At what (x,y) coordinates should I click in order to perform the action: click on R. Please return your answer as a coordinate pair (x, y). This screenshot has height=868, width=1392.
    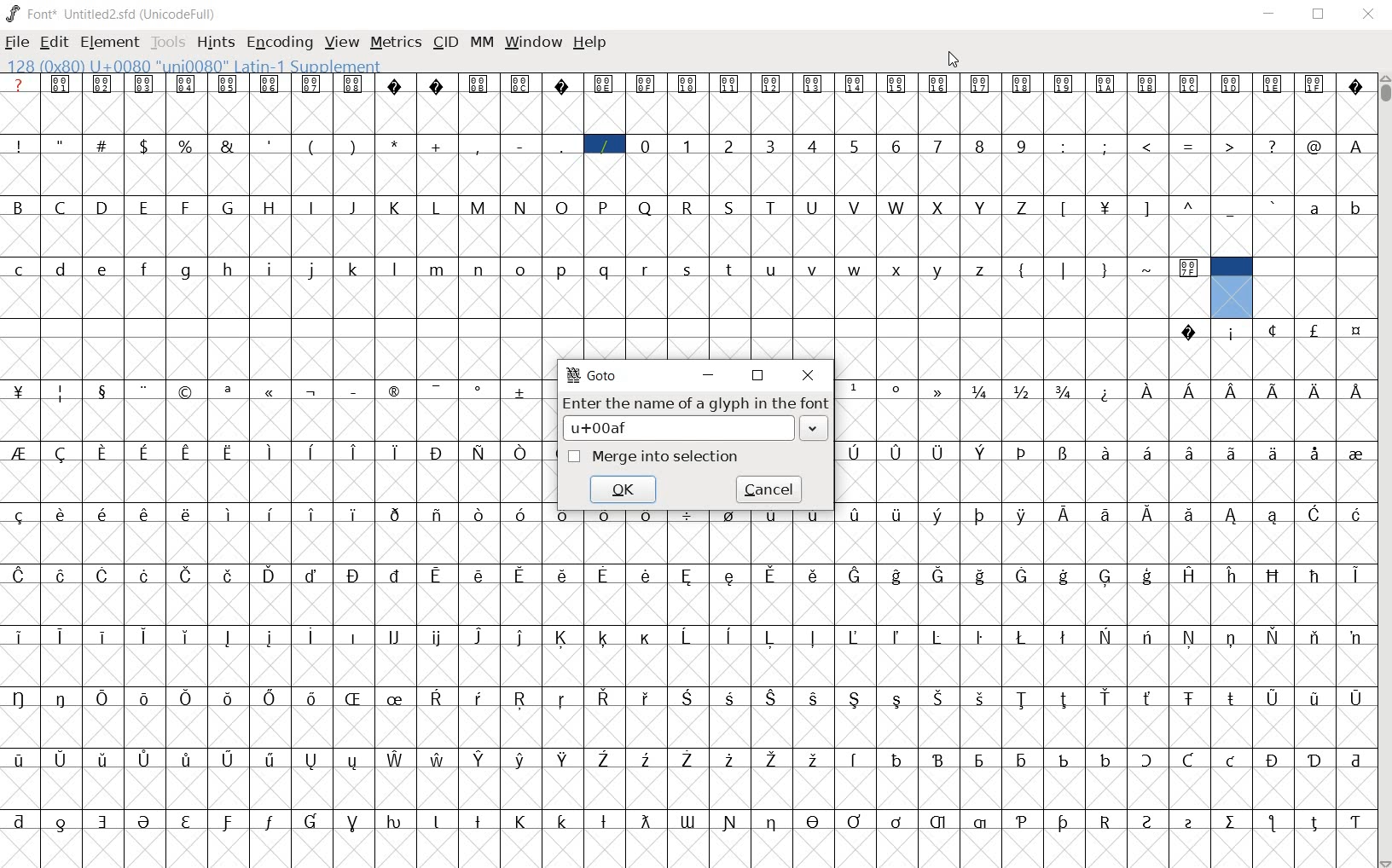
    Looking at the image, I should click on (689, 206).